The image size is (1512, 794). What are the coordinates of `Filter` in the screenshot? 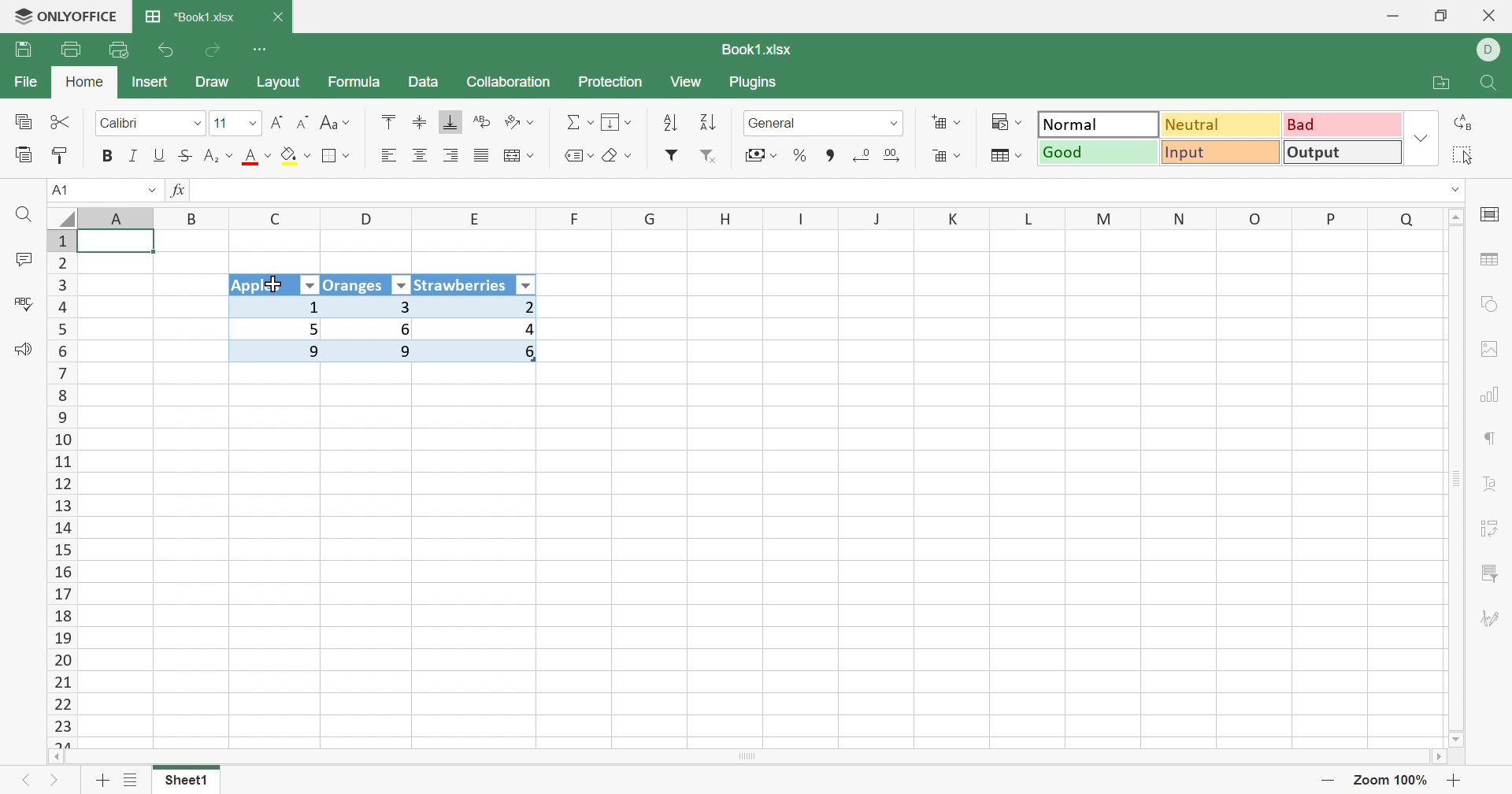 It's located at (672, 155).